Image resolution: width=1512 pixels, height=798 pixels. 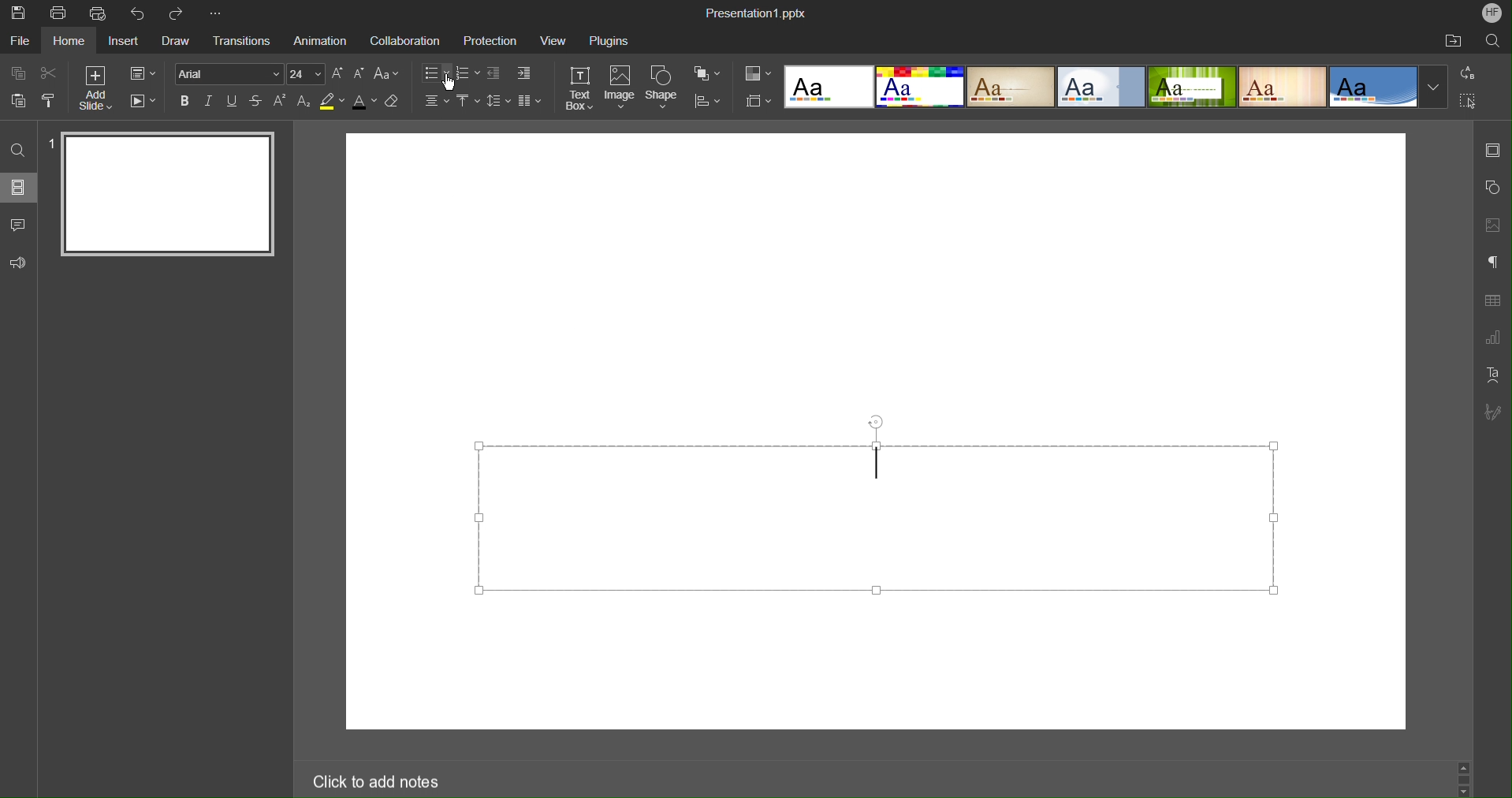 I want to click on Arrange, so click(x=708, y=72).